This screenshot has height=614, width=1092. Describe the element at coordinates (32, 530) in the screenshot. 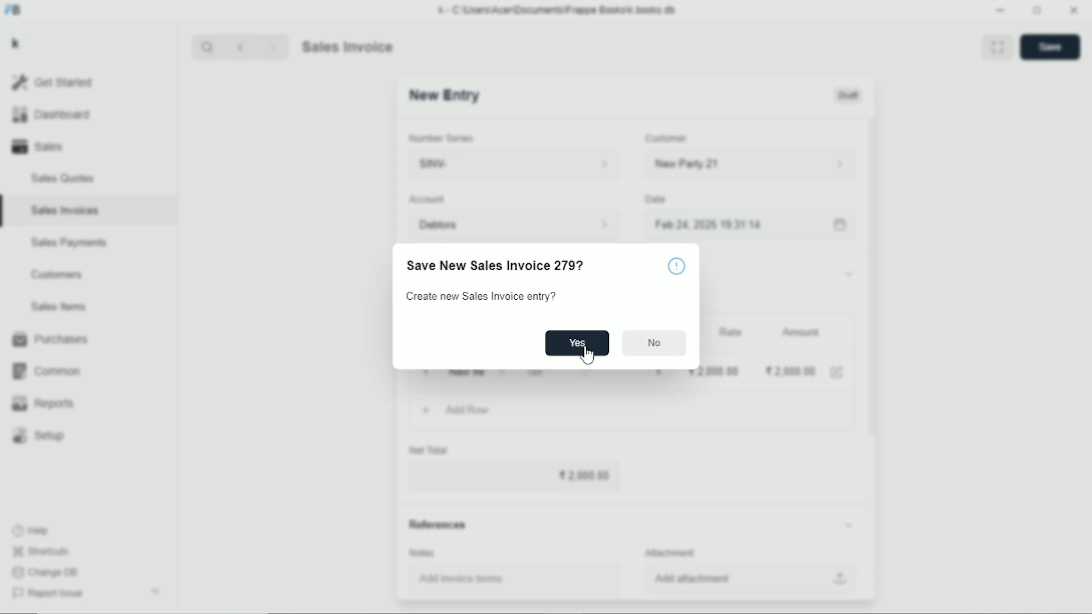

I see `Help` at that location.